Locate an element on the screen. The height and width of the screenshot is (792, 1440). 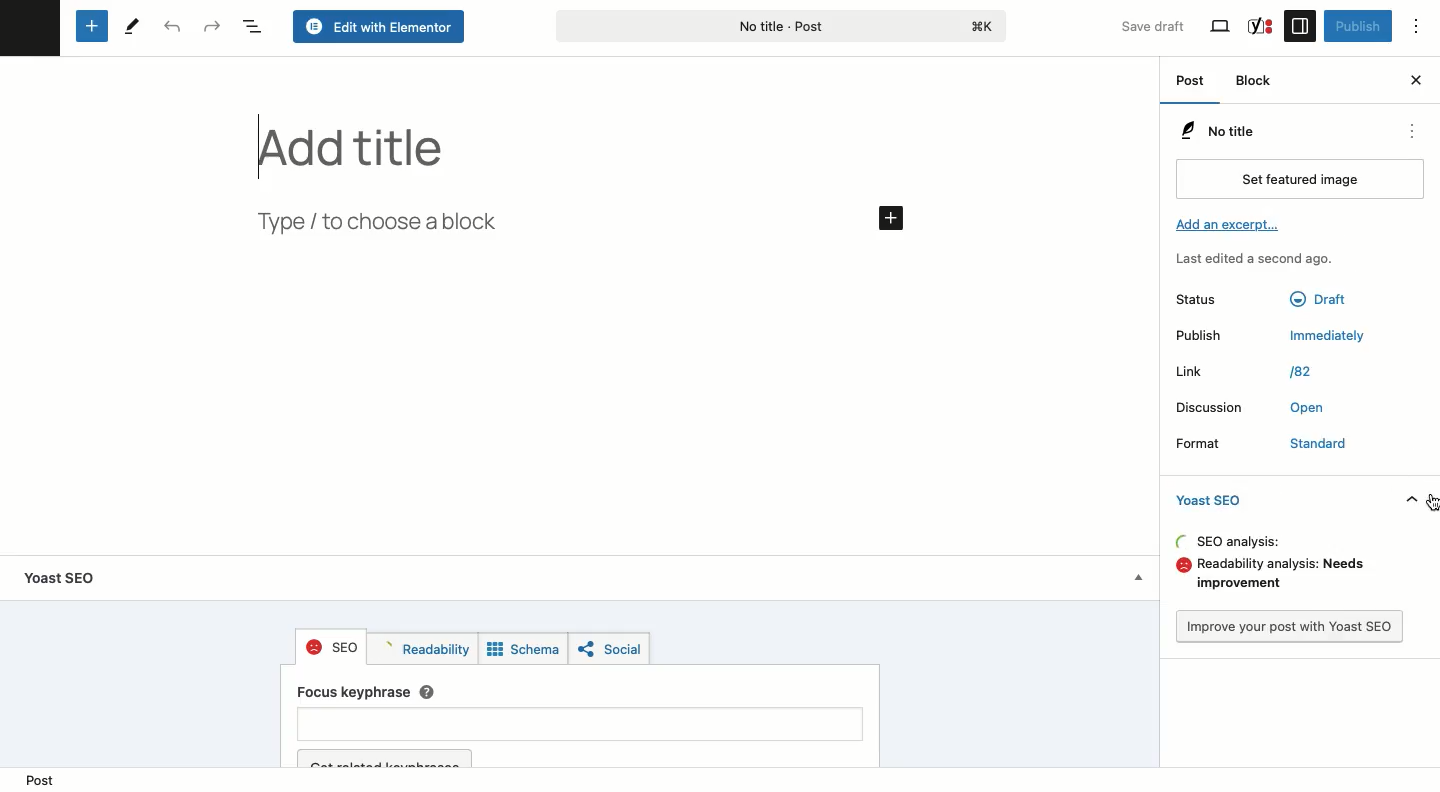
Add title is located at coordinates (366, 145).